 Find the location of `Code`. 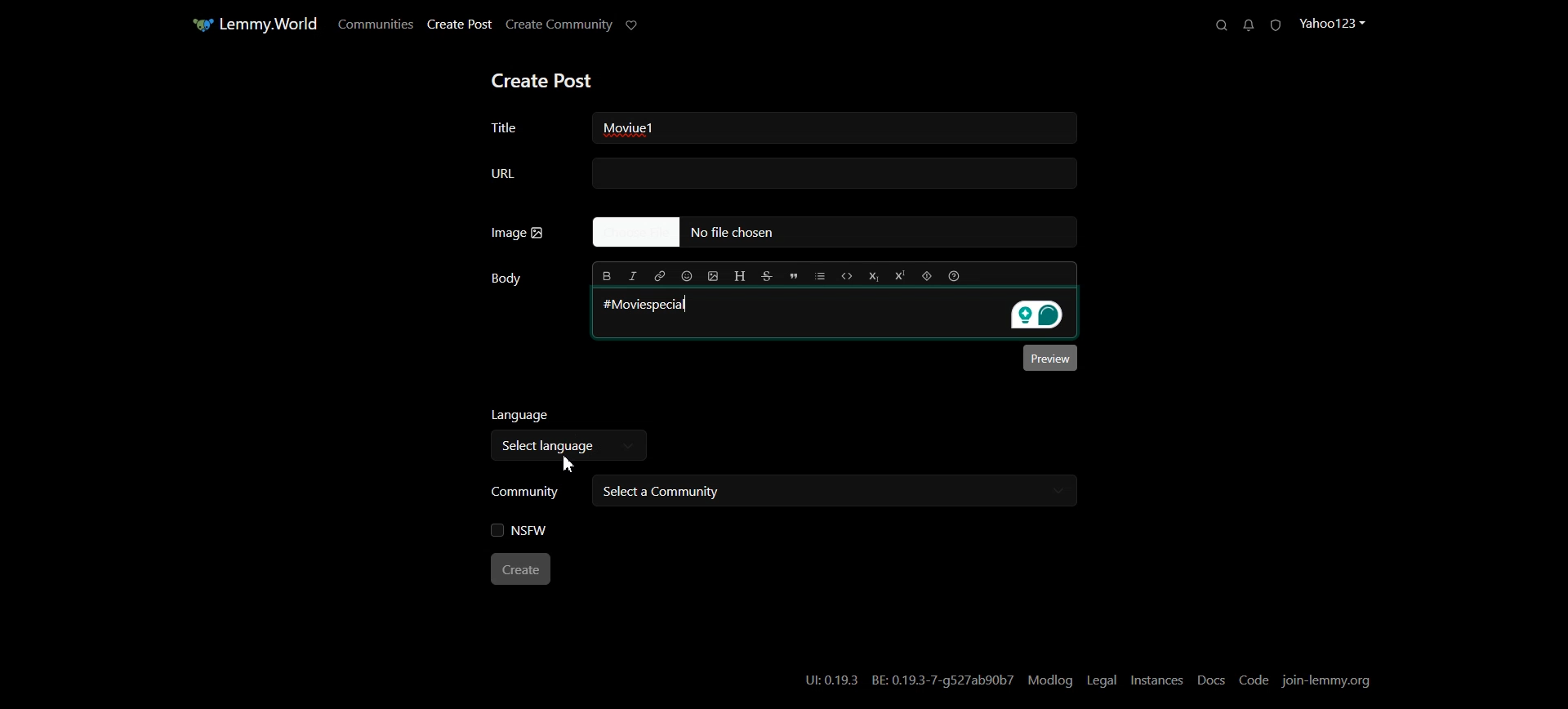

Code is located at coordinates (1255, 680).